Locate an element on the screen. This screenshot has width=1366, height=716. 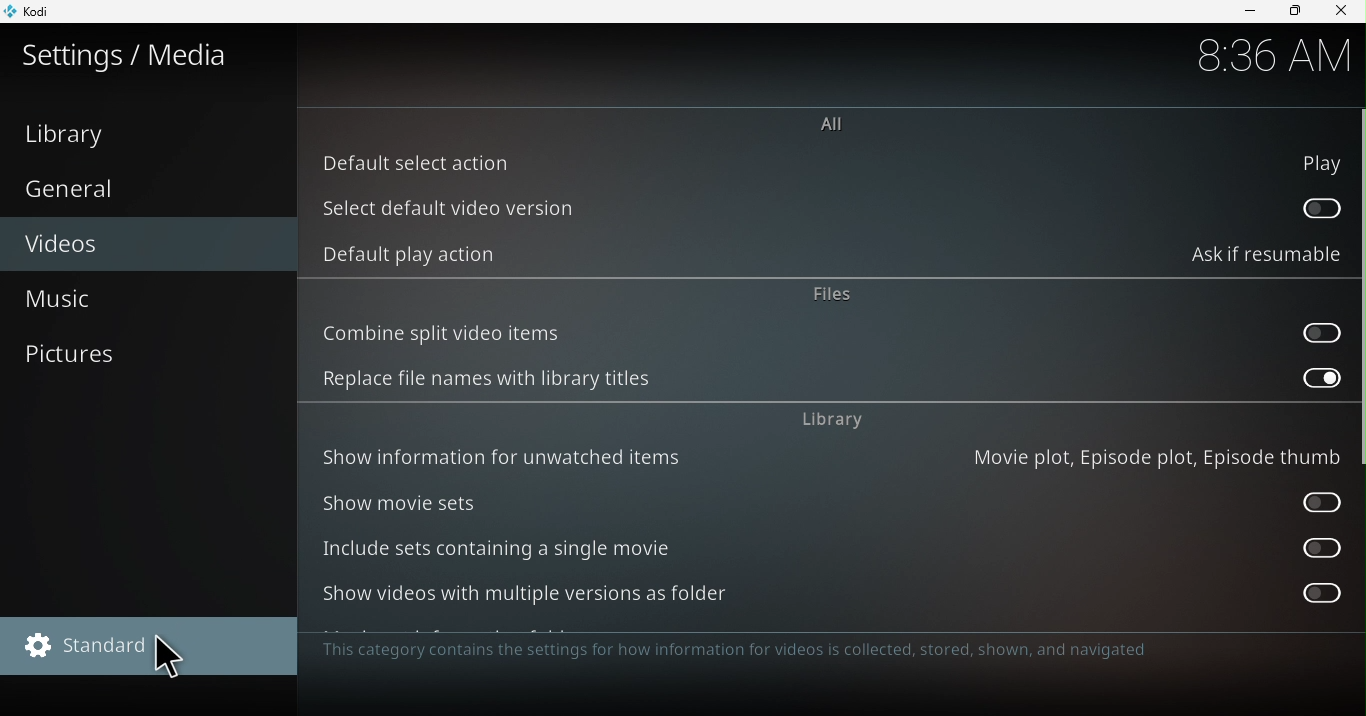
Settings/media is located at coordinates (130, 55).